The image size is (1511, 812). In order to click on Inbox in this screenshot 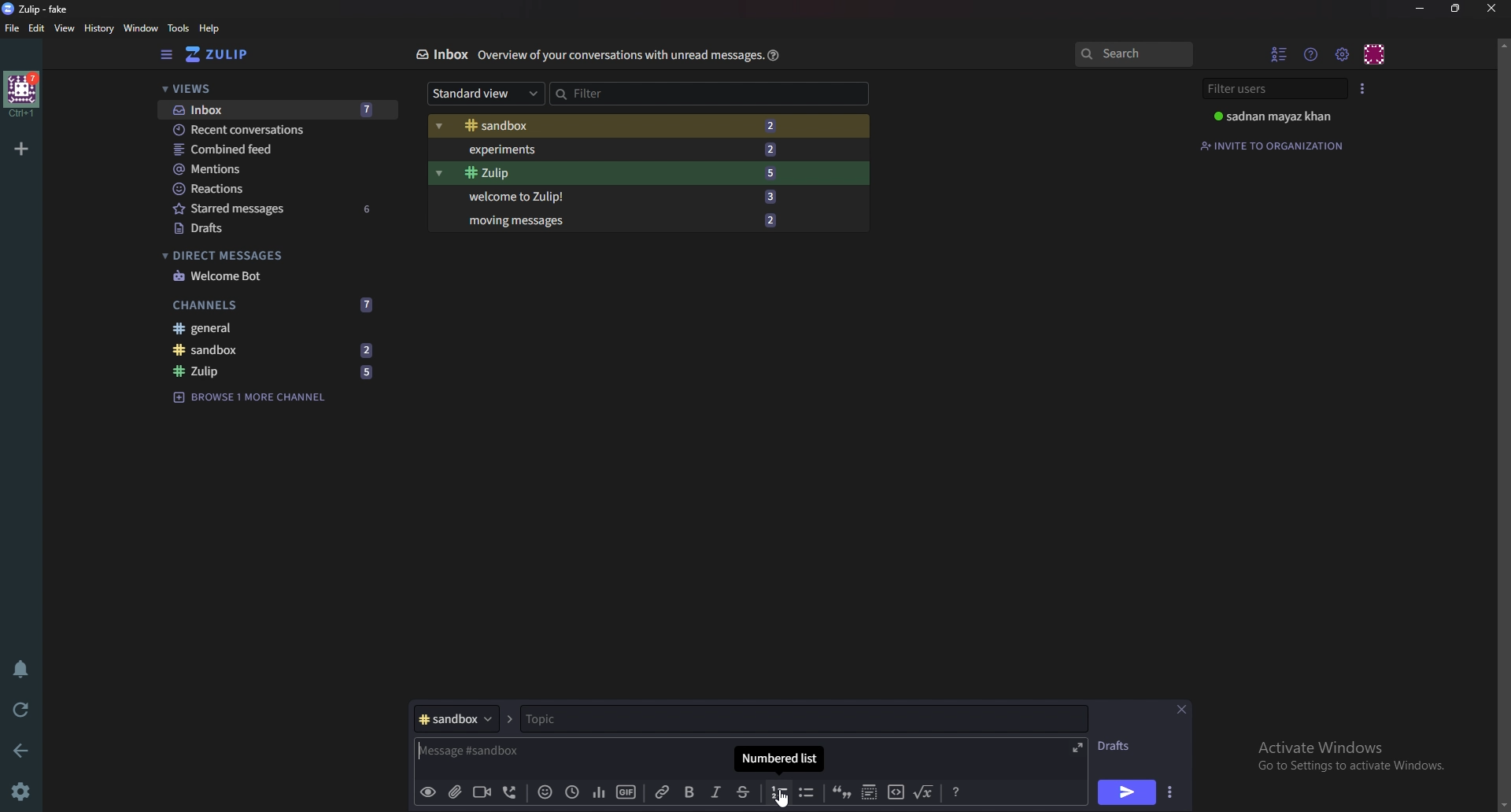, I will do `click(272, 109)`.